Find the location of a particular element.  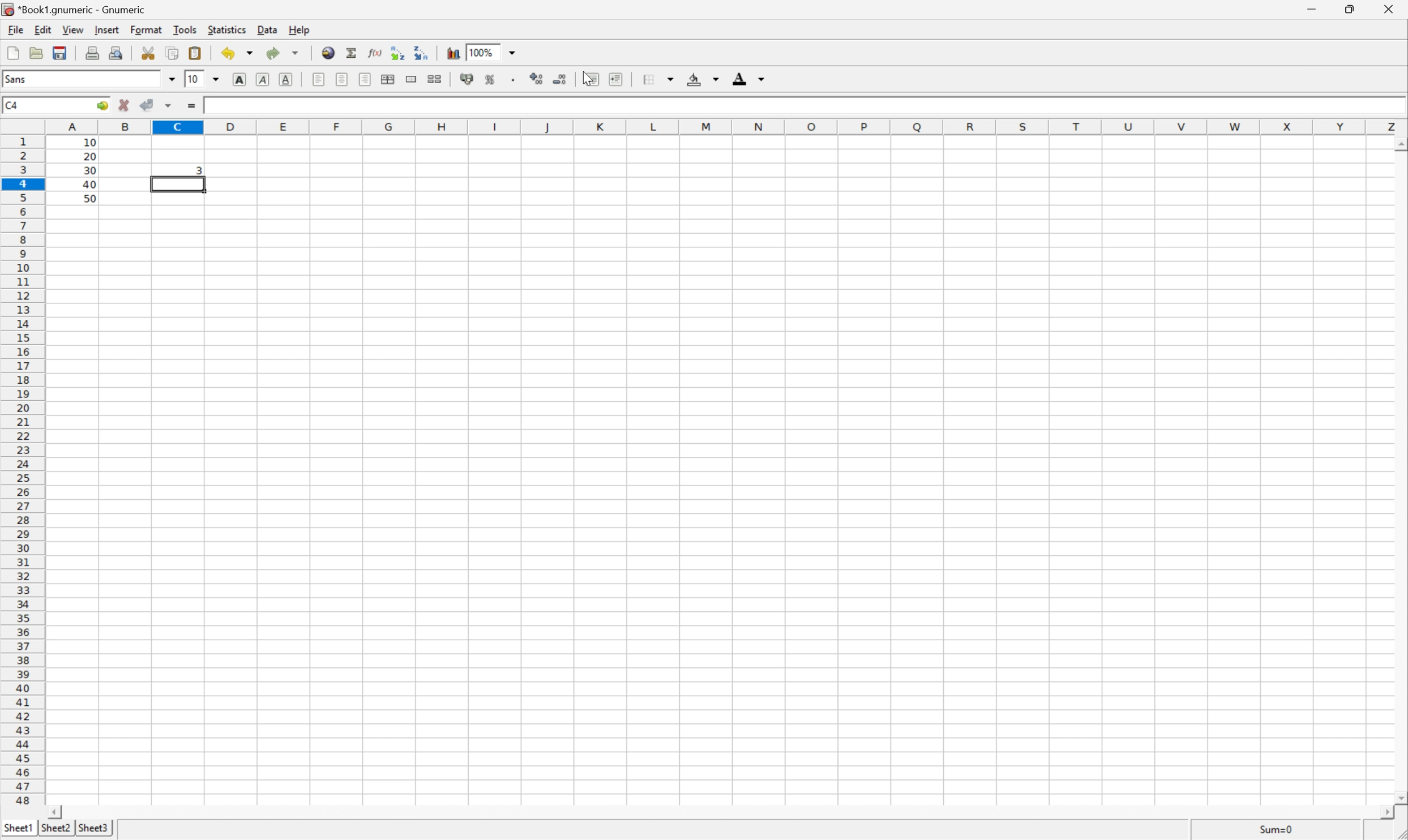

Increase the number of decimals displayed is located at coordinates (538, 78).